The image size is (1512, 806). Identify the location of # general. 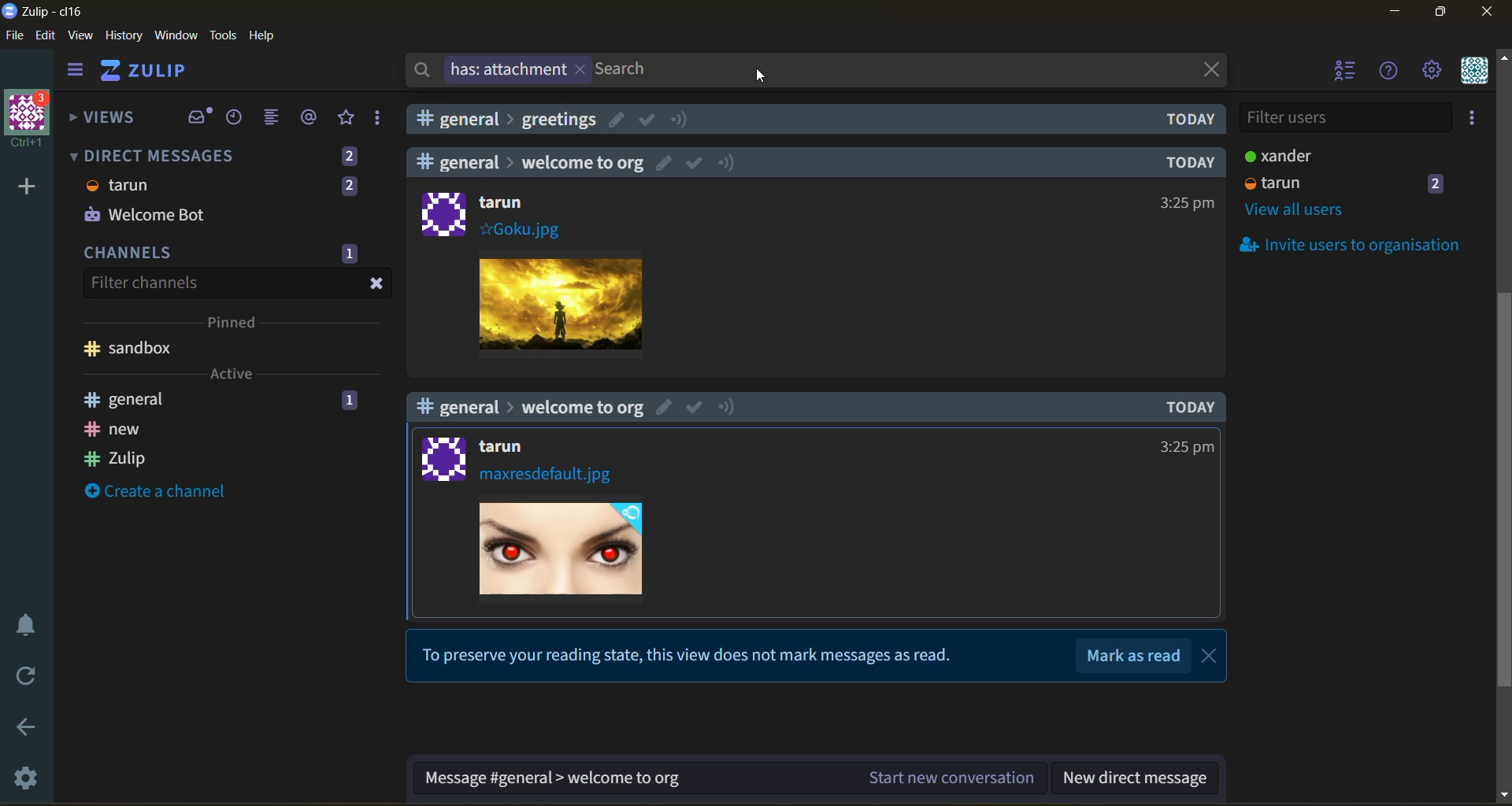
(130, 399).